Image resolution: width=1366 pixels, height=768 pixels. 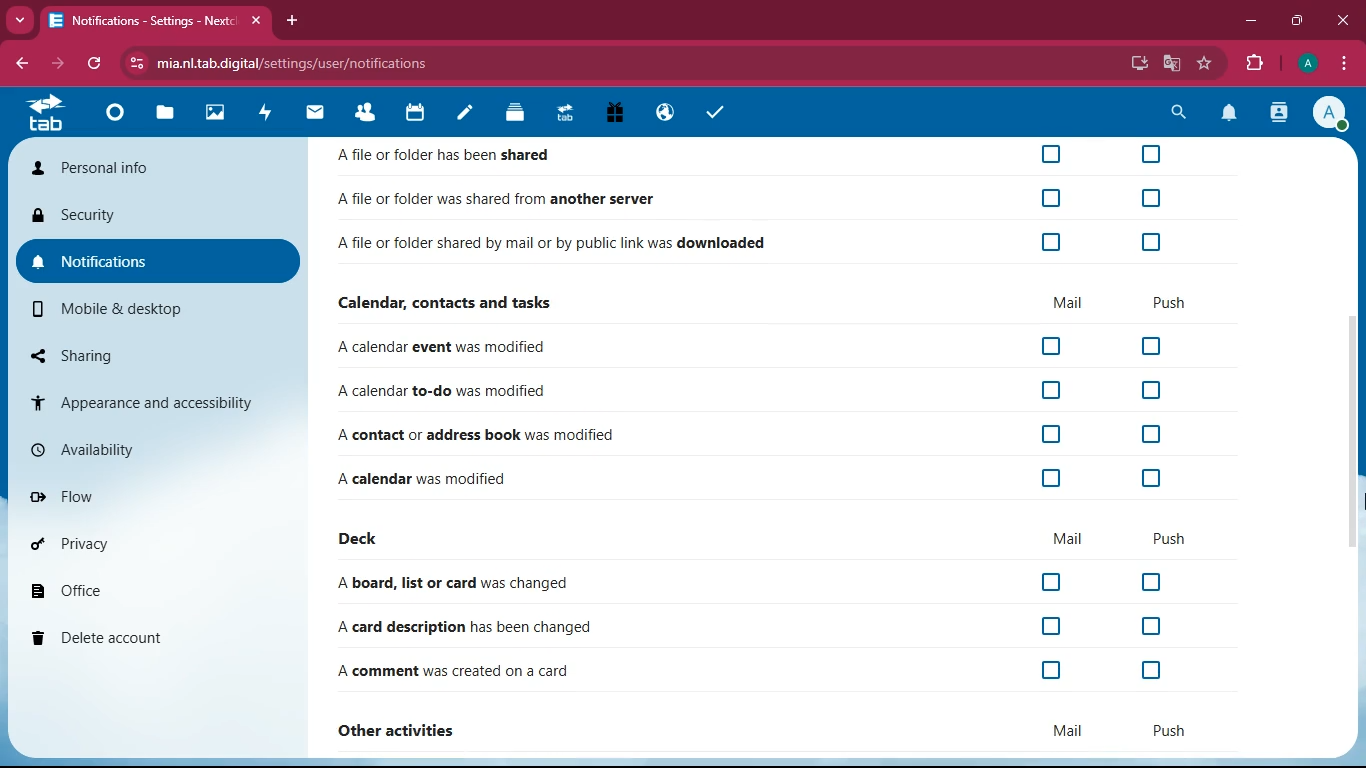 What do you see at coordinates (155, 546) in the screenshot?
I see `privacy` at bounding box center [155, 546].